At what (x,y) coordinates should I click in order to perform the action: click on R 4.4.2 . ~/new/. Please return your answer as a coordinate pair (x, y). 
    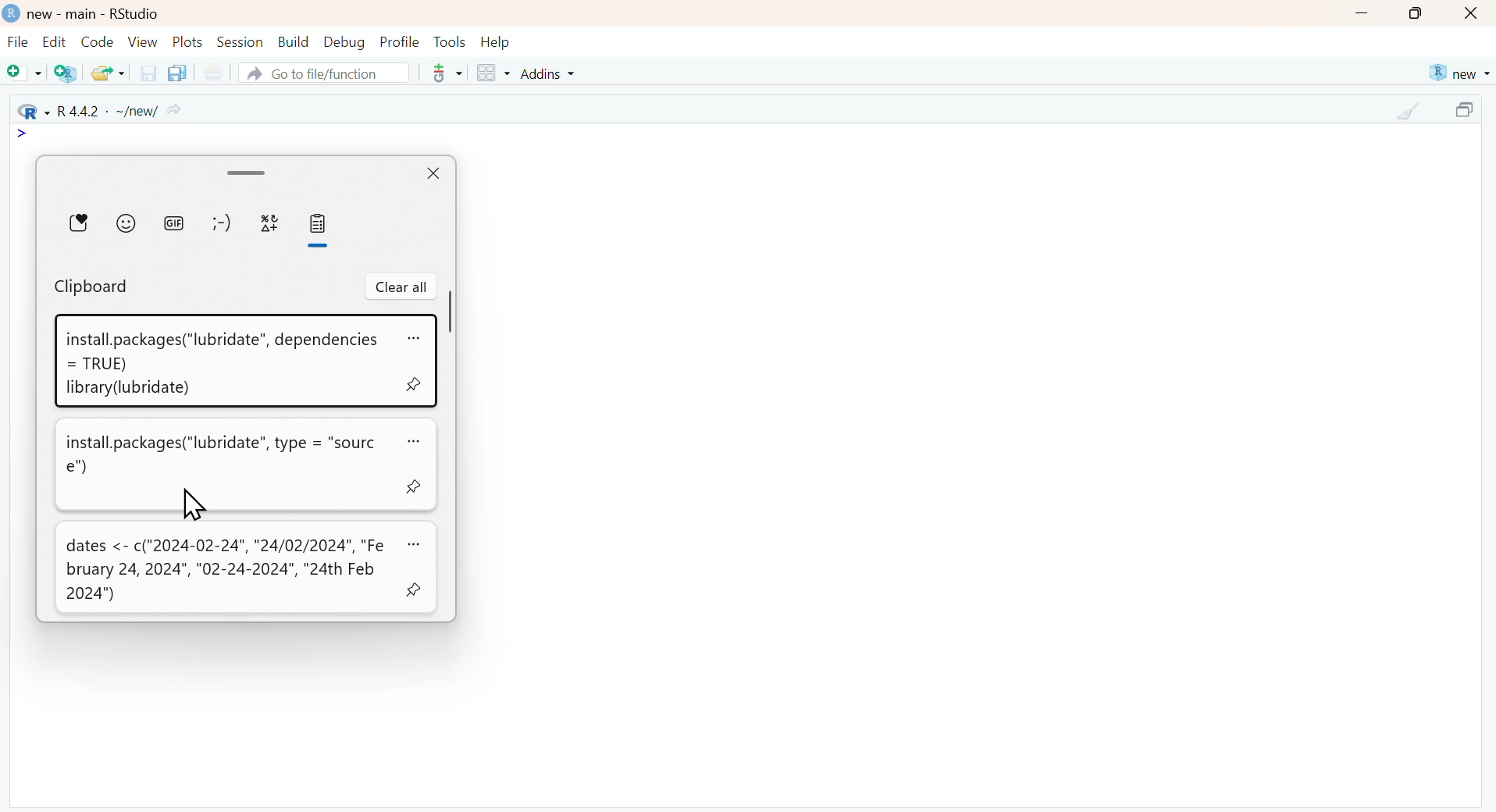
    Looking at the image, I should click on (101, 110).